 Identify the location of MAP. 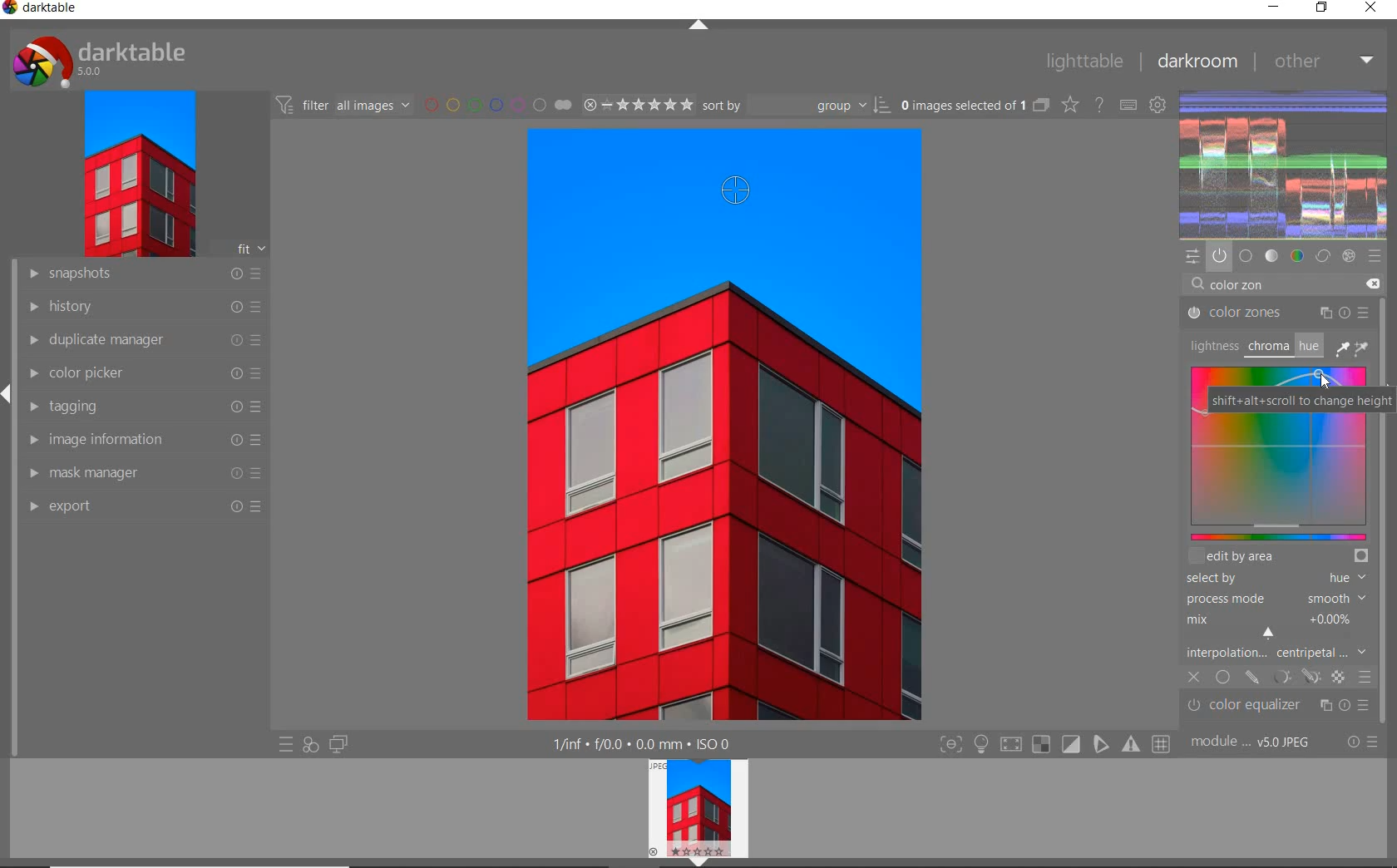
(1277, 481).